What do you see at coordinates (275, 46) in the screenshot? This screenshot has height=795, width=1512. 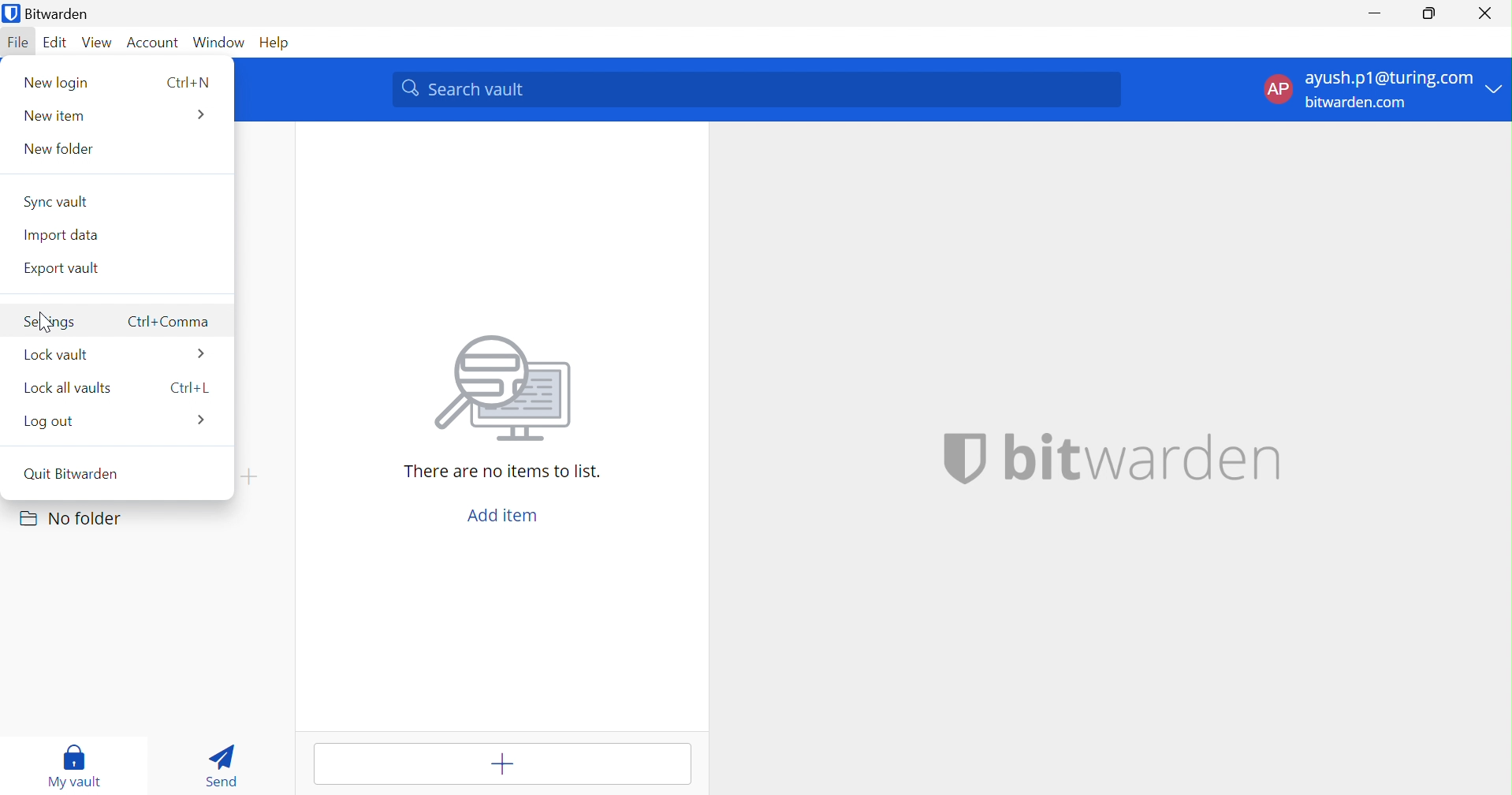 I see `Help` at bounding box center [275, 46].